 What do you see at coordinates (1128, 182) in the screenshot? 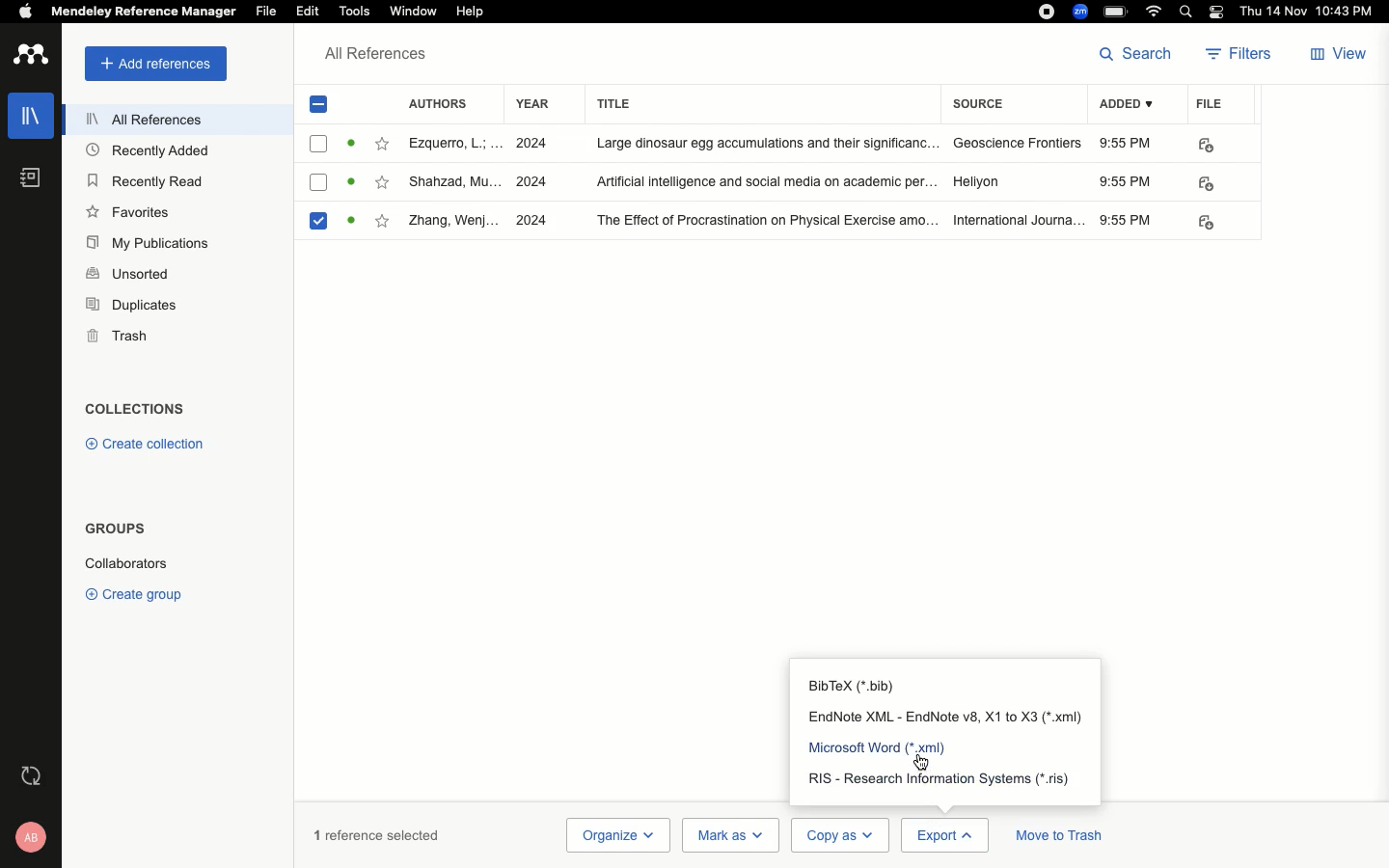
I see `9:55 PM` at bounding box center [1128, 182].